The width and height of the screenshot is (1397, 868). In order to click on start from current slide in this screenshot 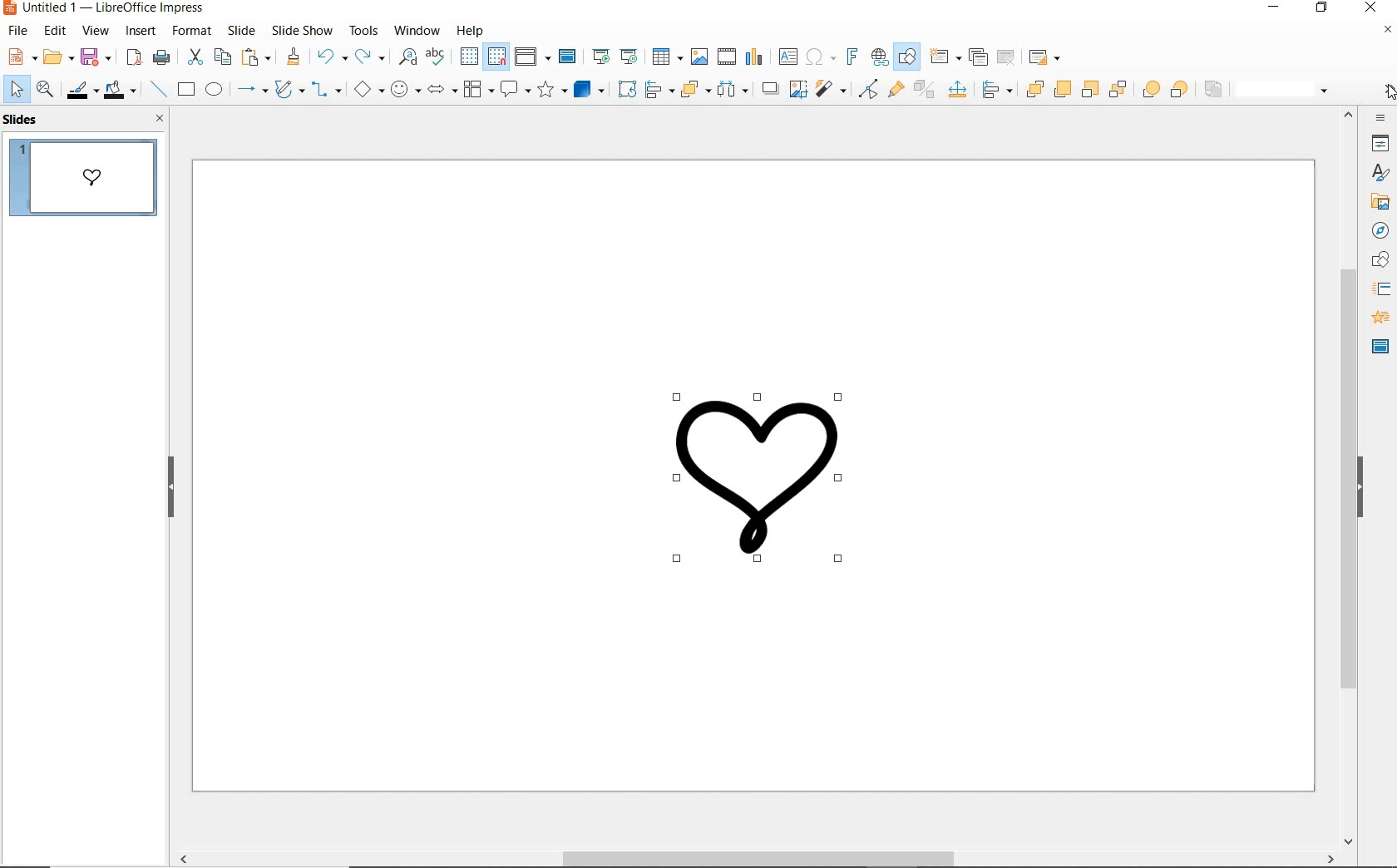, I will do `click(629, 57)`.